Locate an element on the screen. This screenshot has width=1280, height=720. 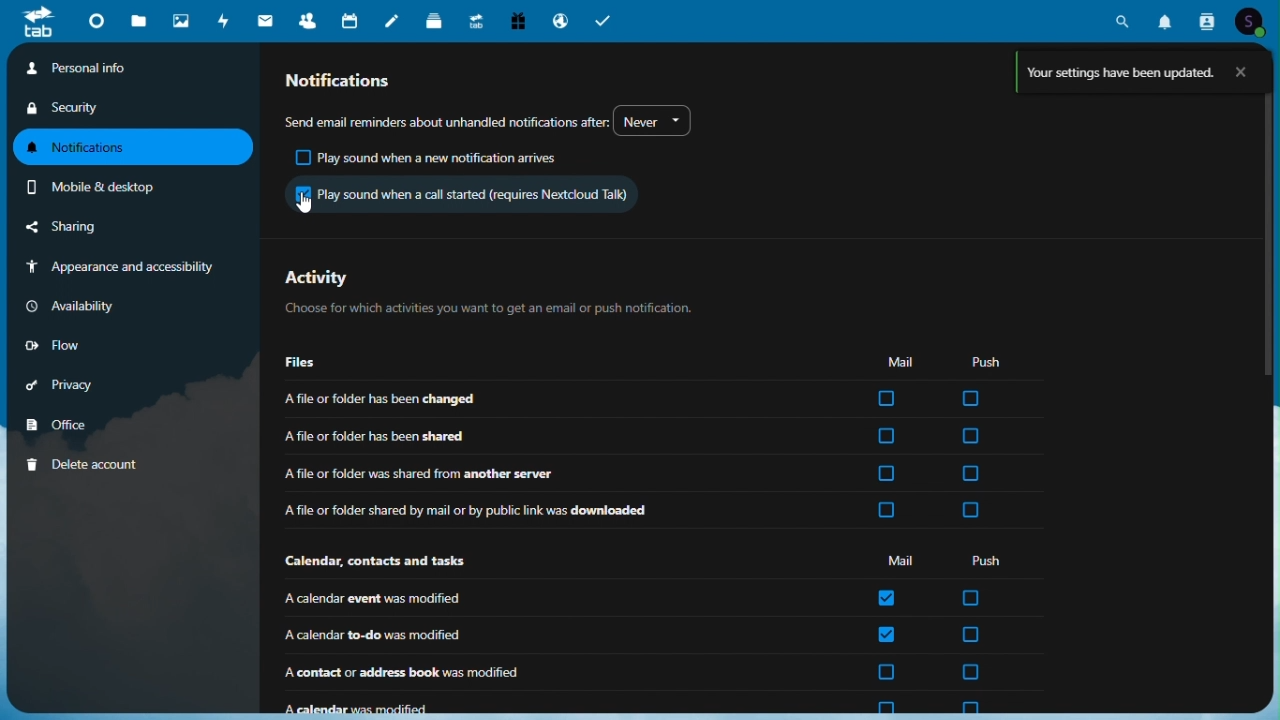
mail is located at coordinates (898, 562).